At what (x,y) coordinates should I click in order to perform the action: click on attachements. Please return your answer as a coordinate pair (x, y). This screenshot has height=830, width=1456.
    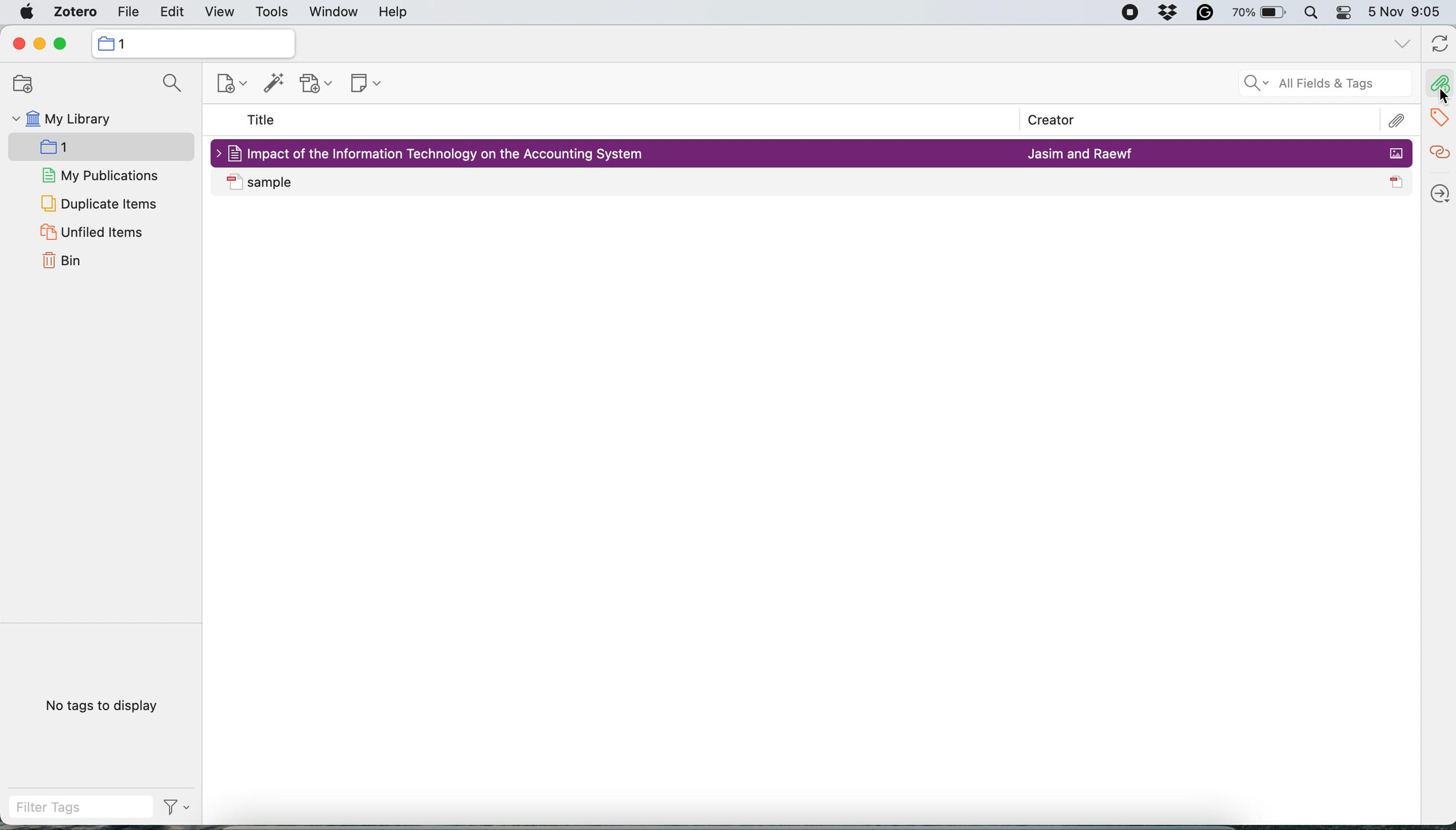
    Looking at the image, I should click on (1438, 84).